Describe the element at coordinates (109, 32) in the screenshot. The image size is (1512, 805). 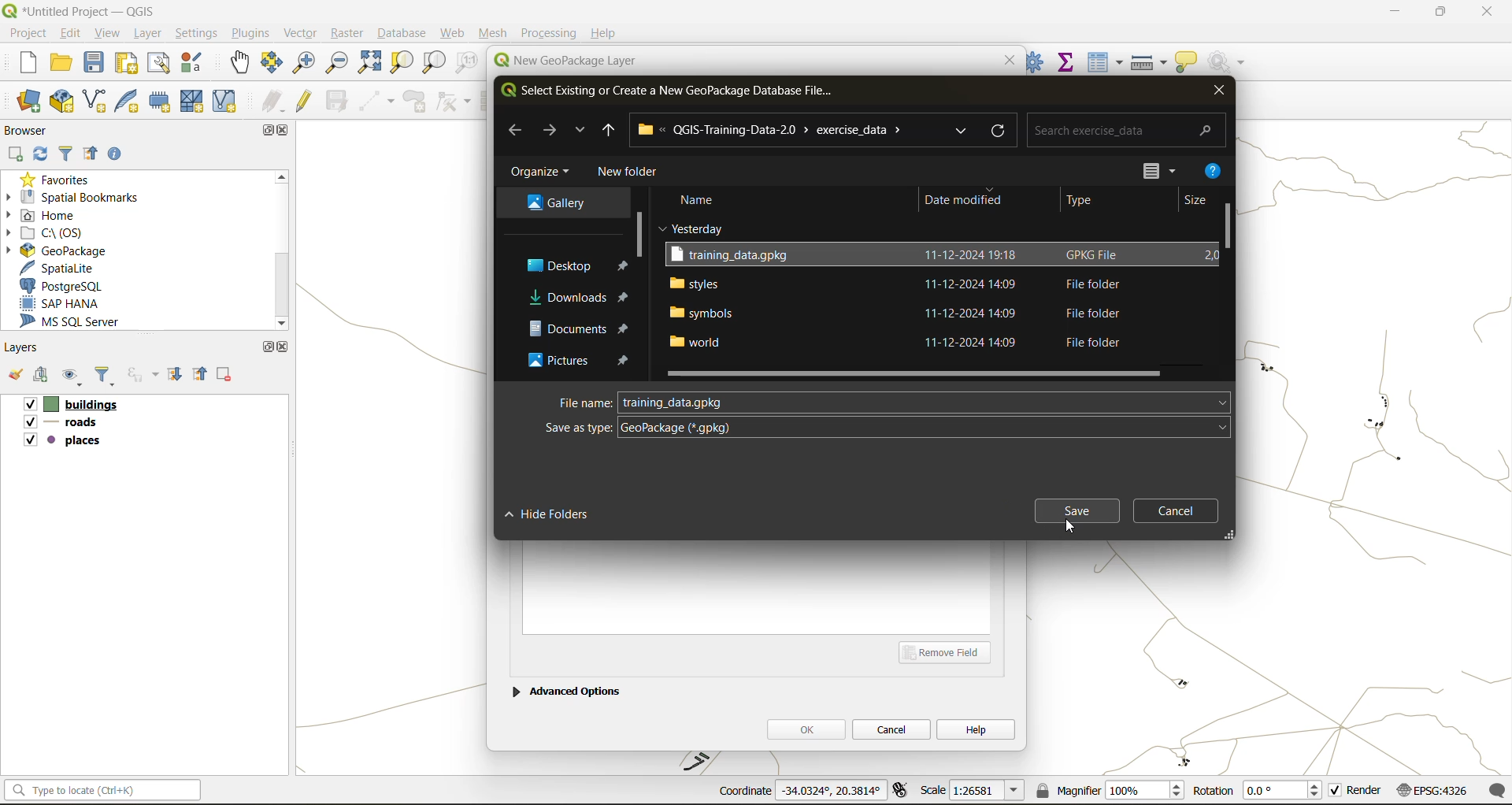
I see `view` at that location.